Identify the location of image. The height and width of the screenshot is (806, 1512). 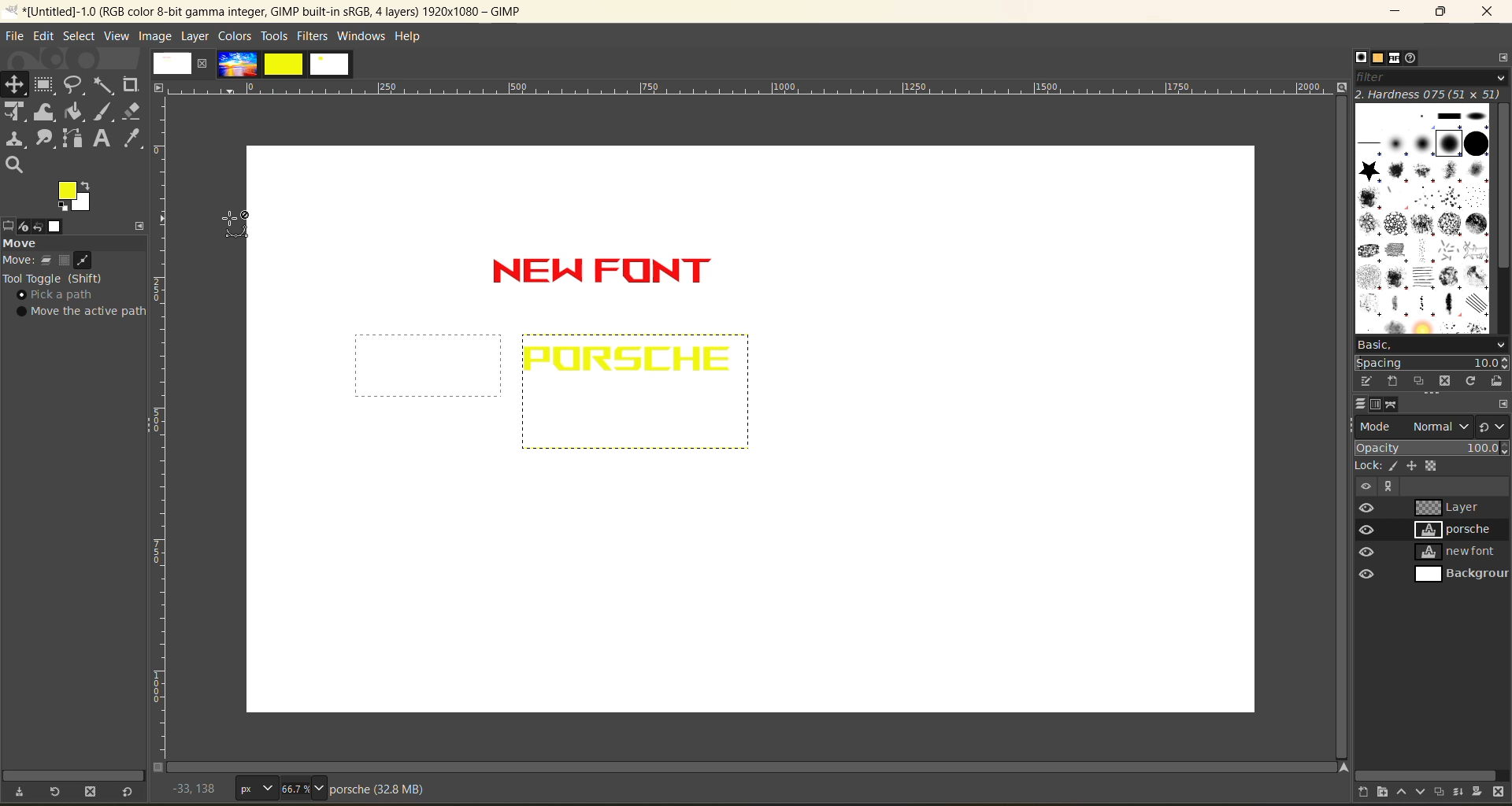
(155, 37).